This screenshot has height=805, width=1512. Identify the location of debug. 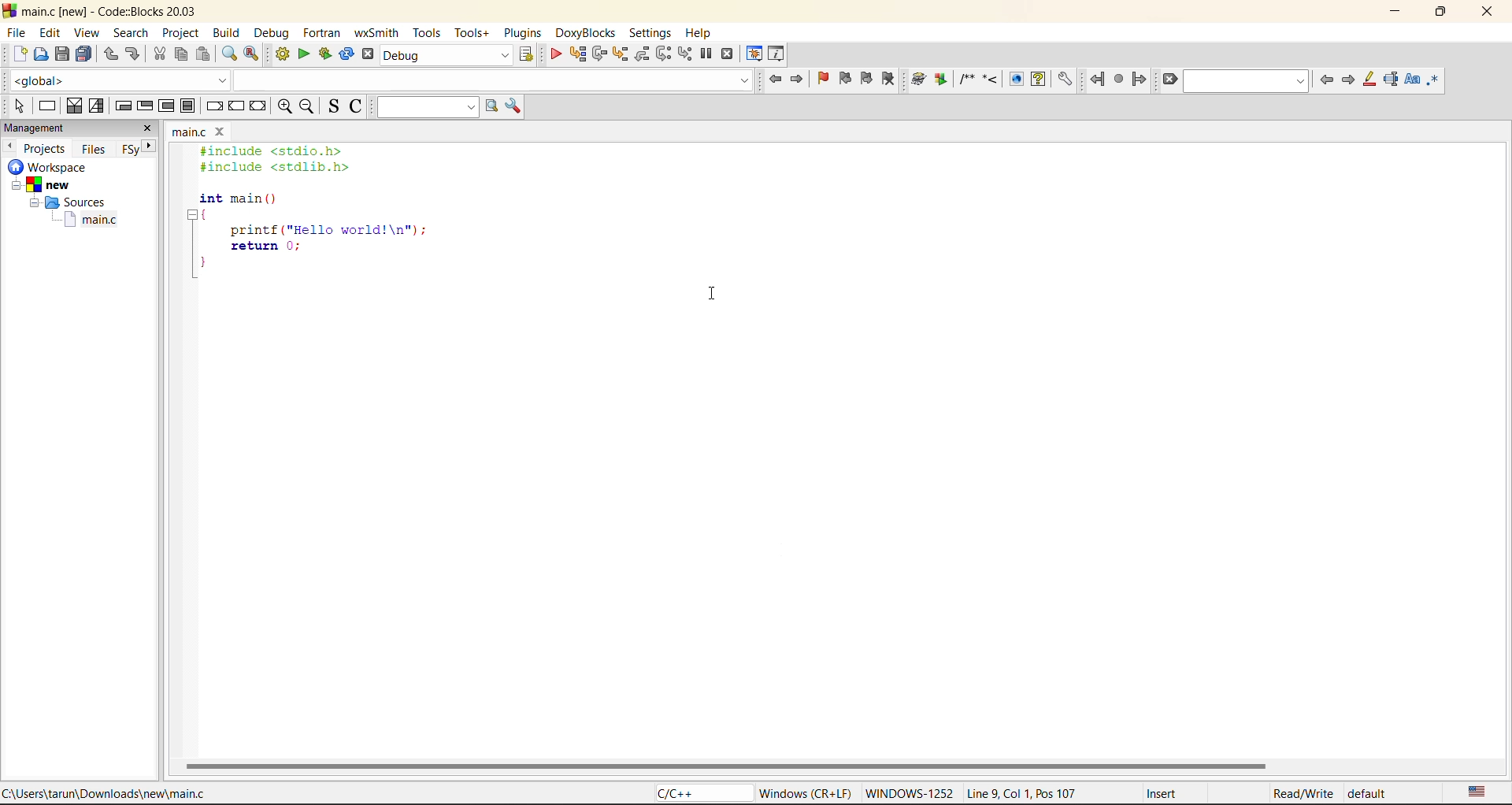
(554, 54).